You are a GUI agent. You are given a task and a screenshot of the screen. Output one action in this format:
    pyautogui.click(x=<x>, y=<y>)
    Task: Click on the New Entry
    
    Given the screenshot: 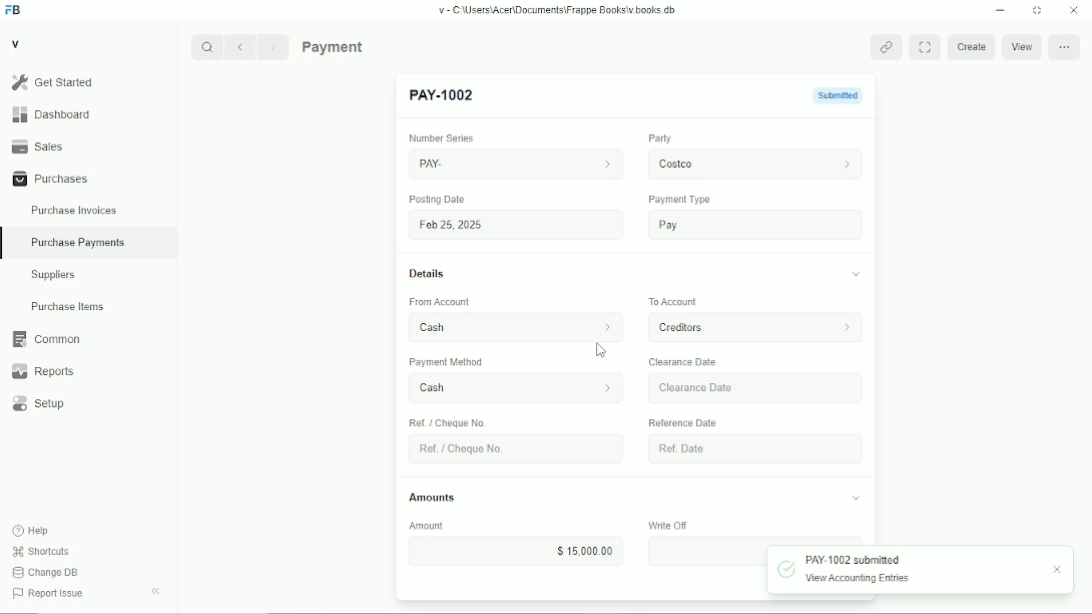 What is the action you would take?
    pyautogui.click(x=447, y=95)
    